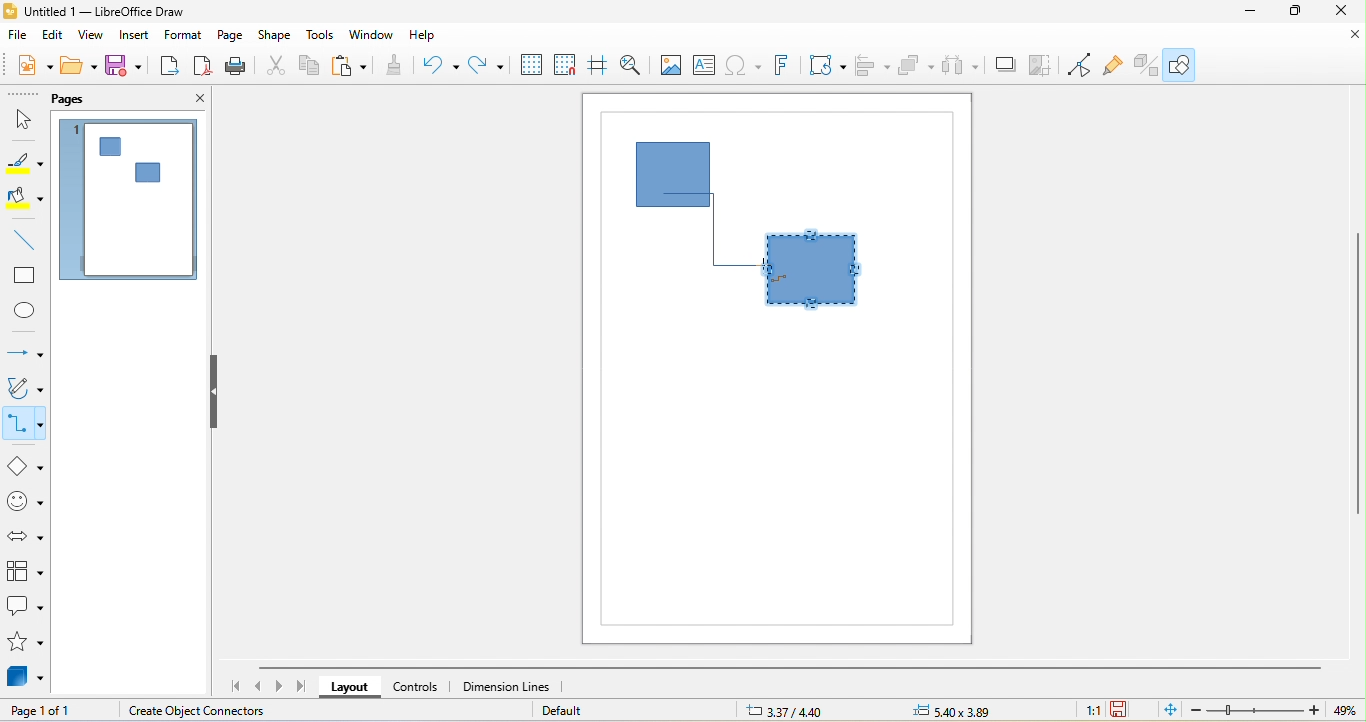  What do you see at coordinates (531, 65) in the screenshot?
I see `display grid` at bounding box center [531, 65].